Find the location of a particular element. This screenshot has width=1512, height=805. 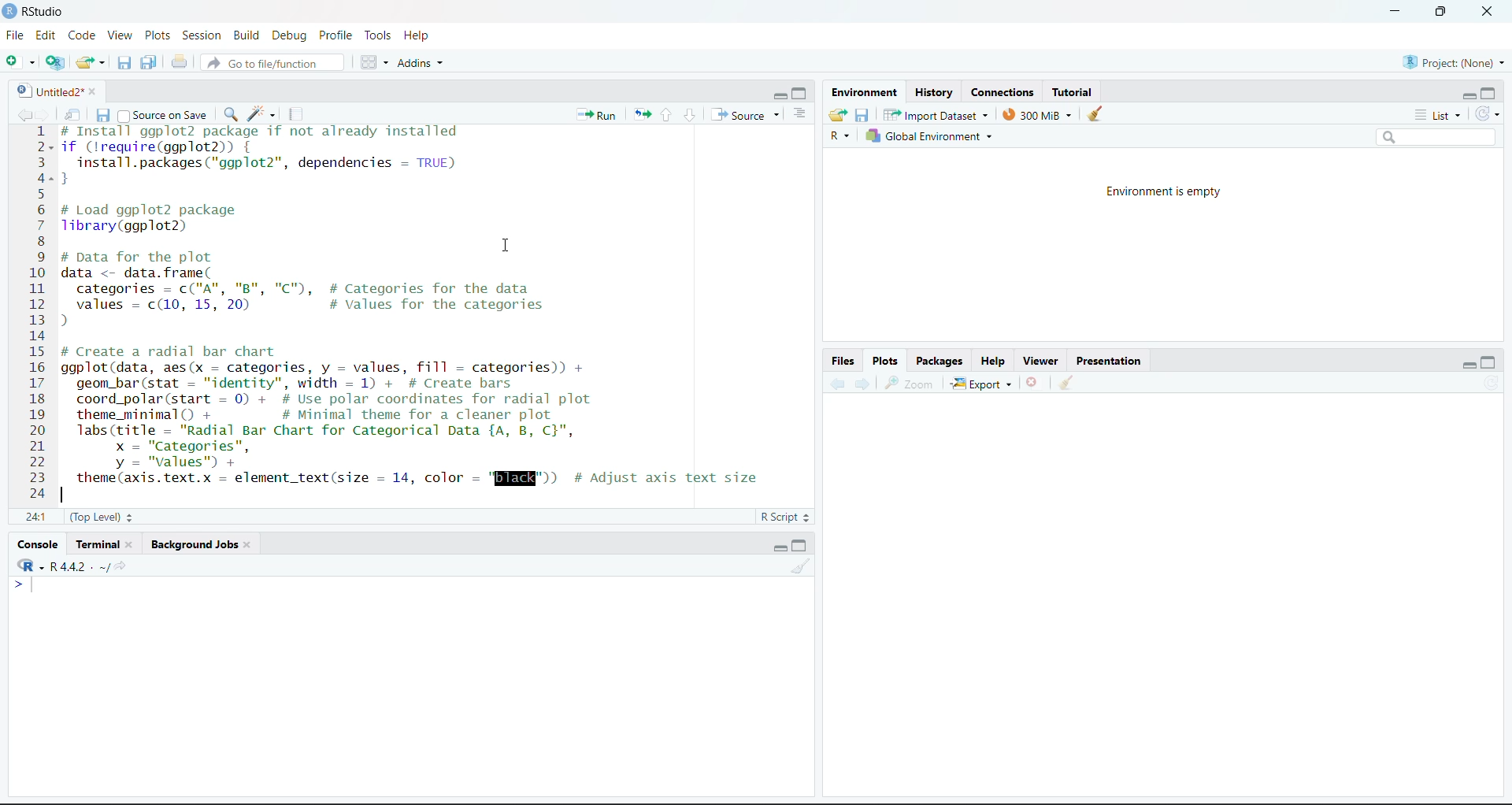

View is located at coordinates (119, 35).